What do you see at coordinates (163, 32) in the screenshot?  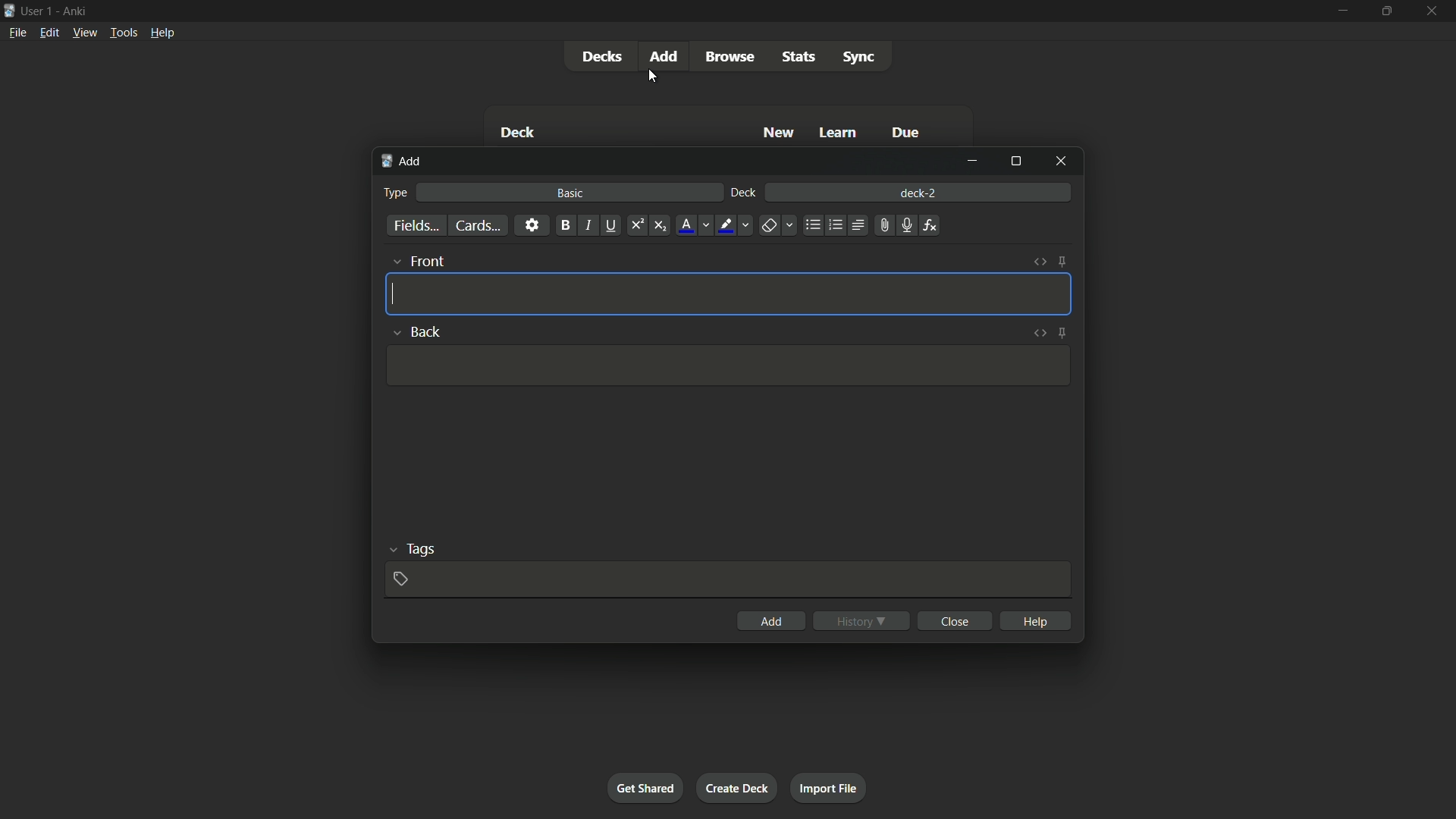 I see `help menu` at bounding box center [163, 32].